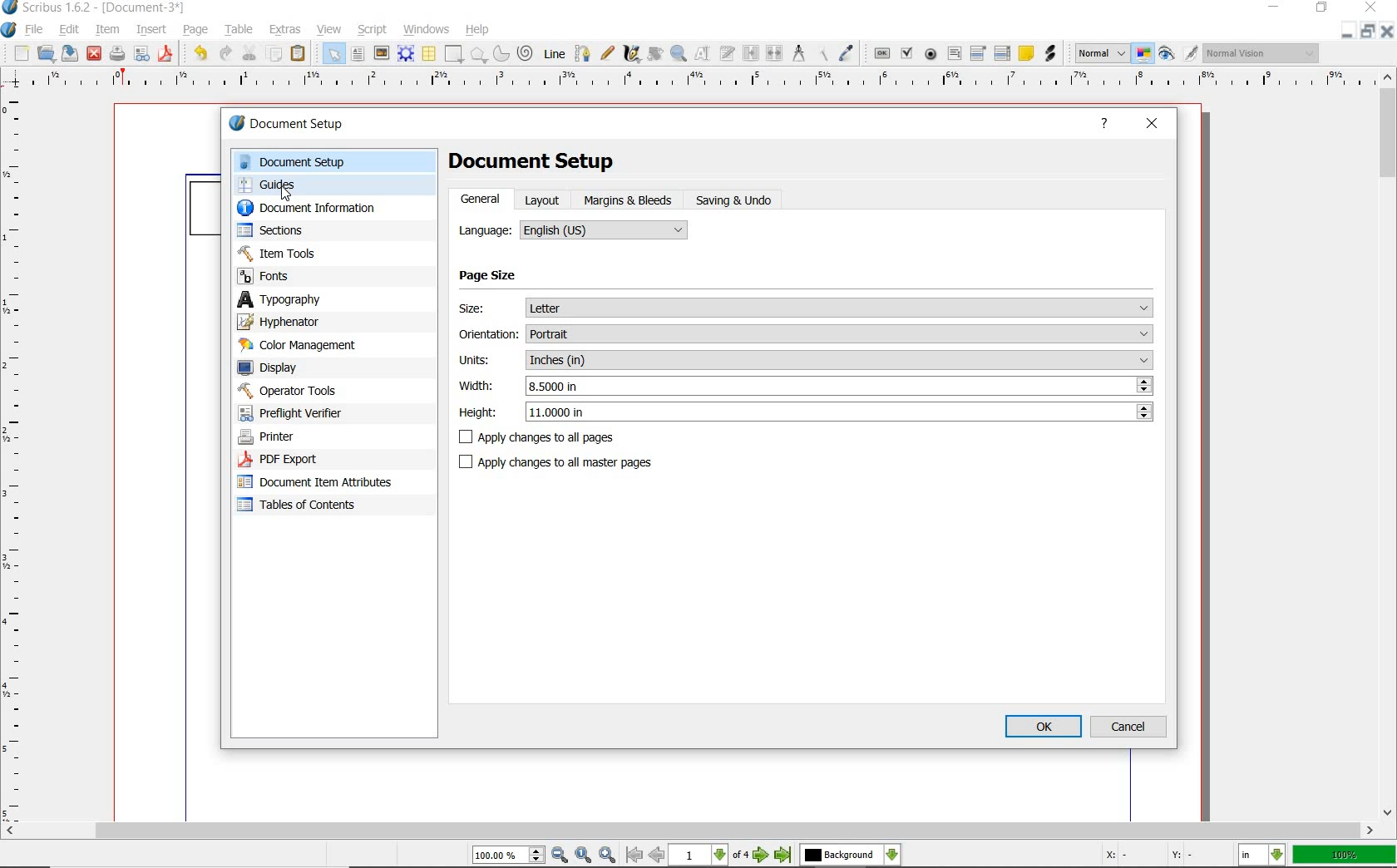 The image size is (1397, 868). I want to click on shape, so click(455, 55).